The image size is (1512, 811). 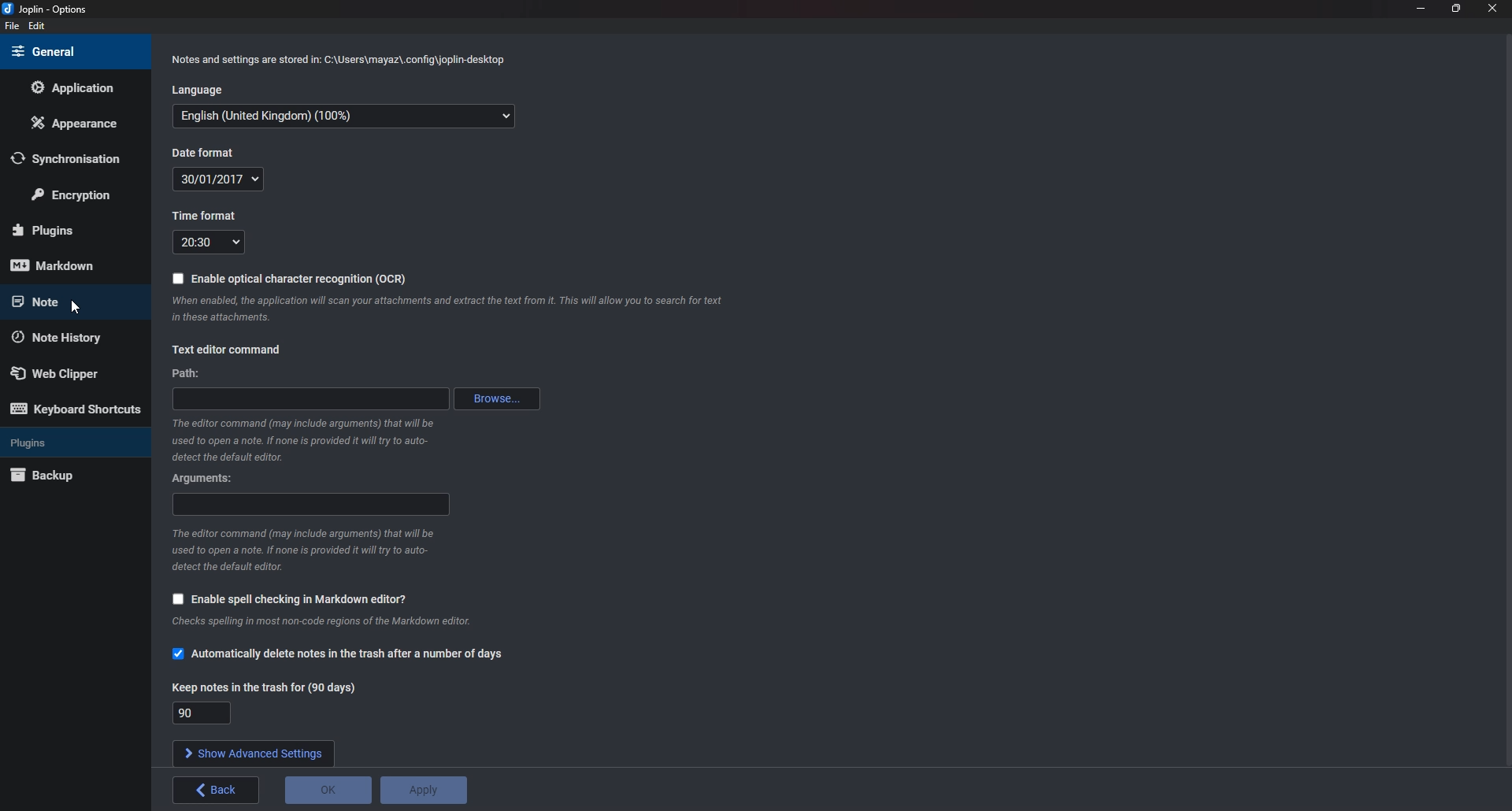 What do you see at coordinates (206, 90) in the screenshot?
I see `Language` at bounding box center [206, 90].